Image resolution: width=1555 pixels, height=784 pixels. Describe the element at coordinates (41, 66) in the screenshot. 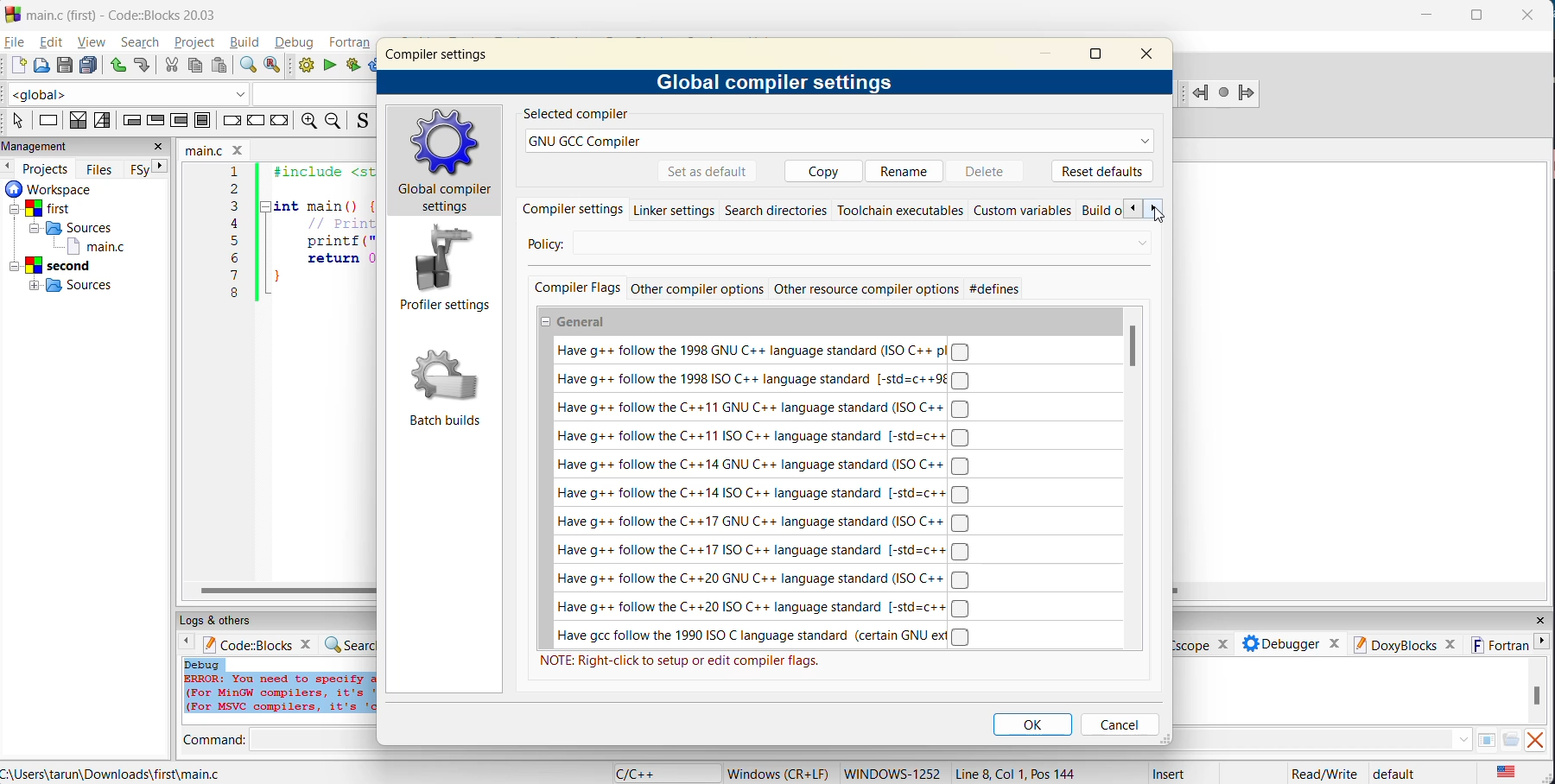

I see `open` at that location.